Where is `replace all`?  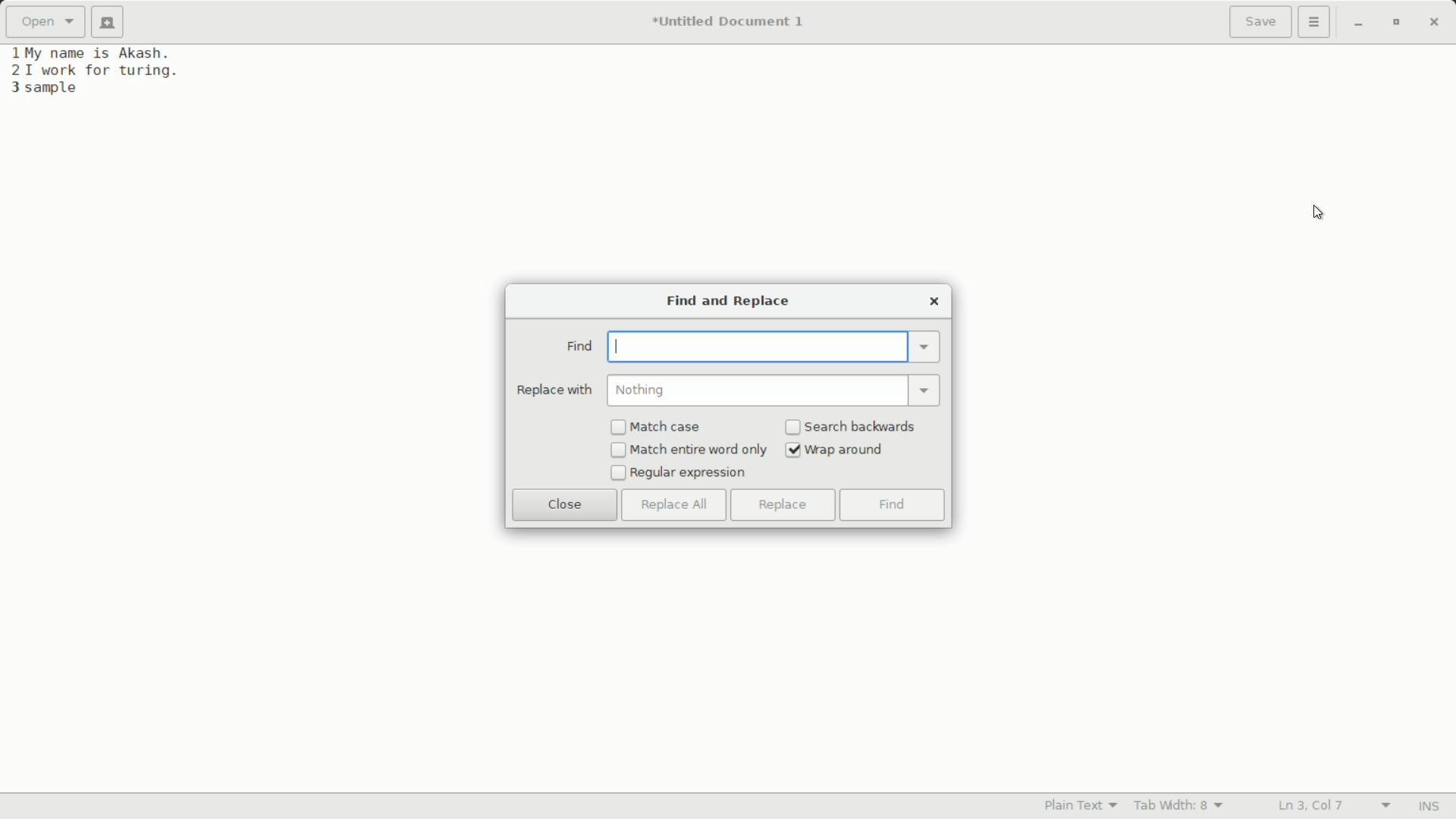 replace all is located at coordinates (674, 506).